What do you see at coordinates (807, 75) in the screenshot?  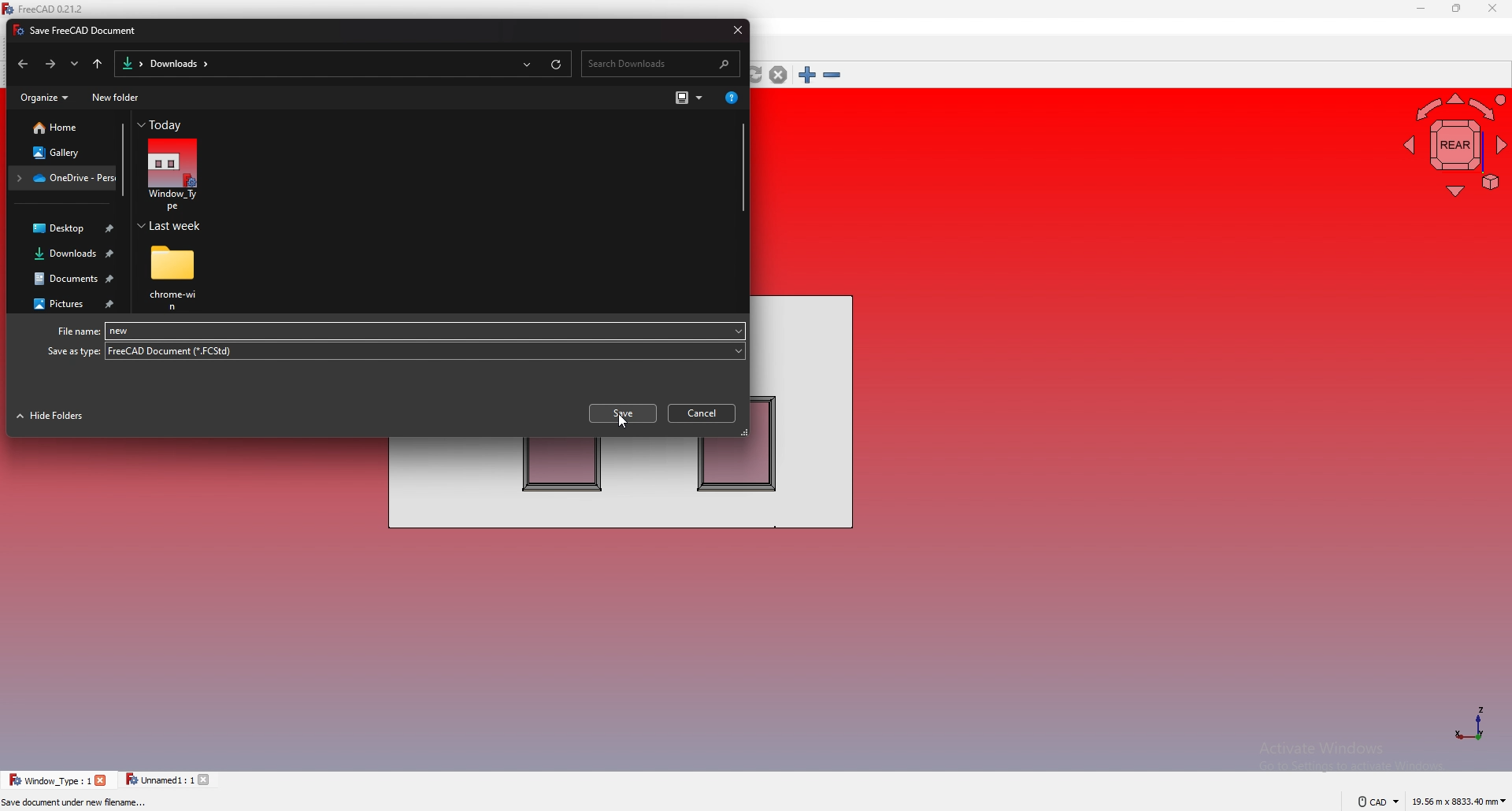 I see `zoom in` at bounding box center [807, 75].